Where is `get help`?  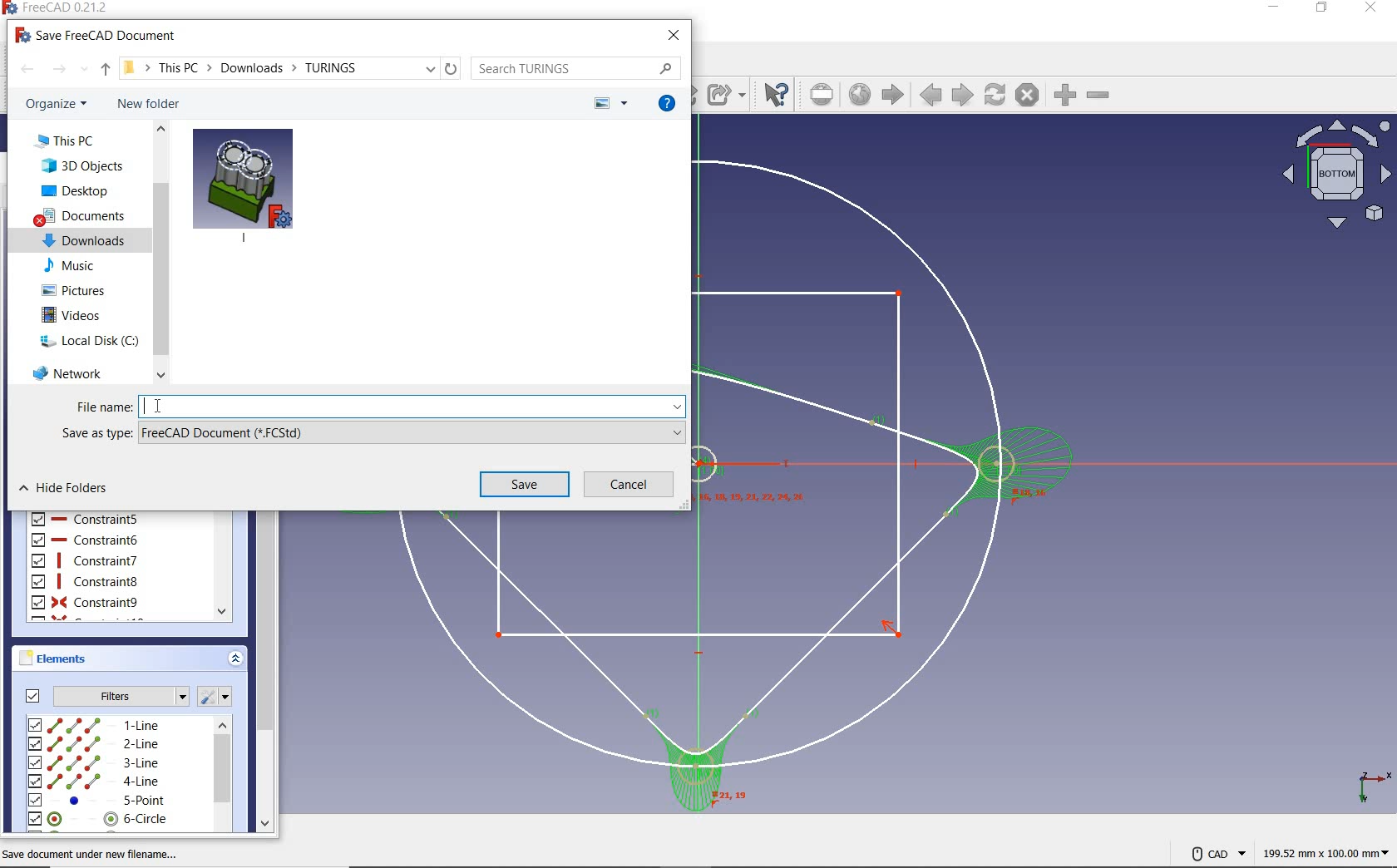 get help is located at coordinates (668, 103).